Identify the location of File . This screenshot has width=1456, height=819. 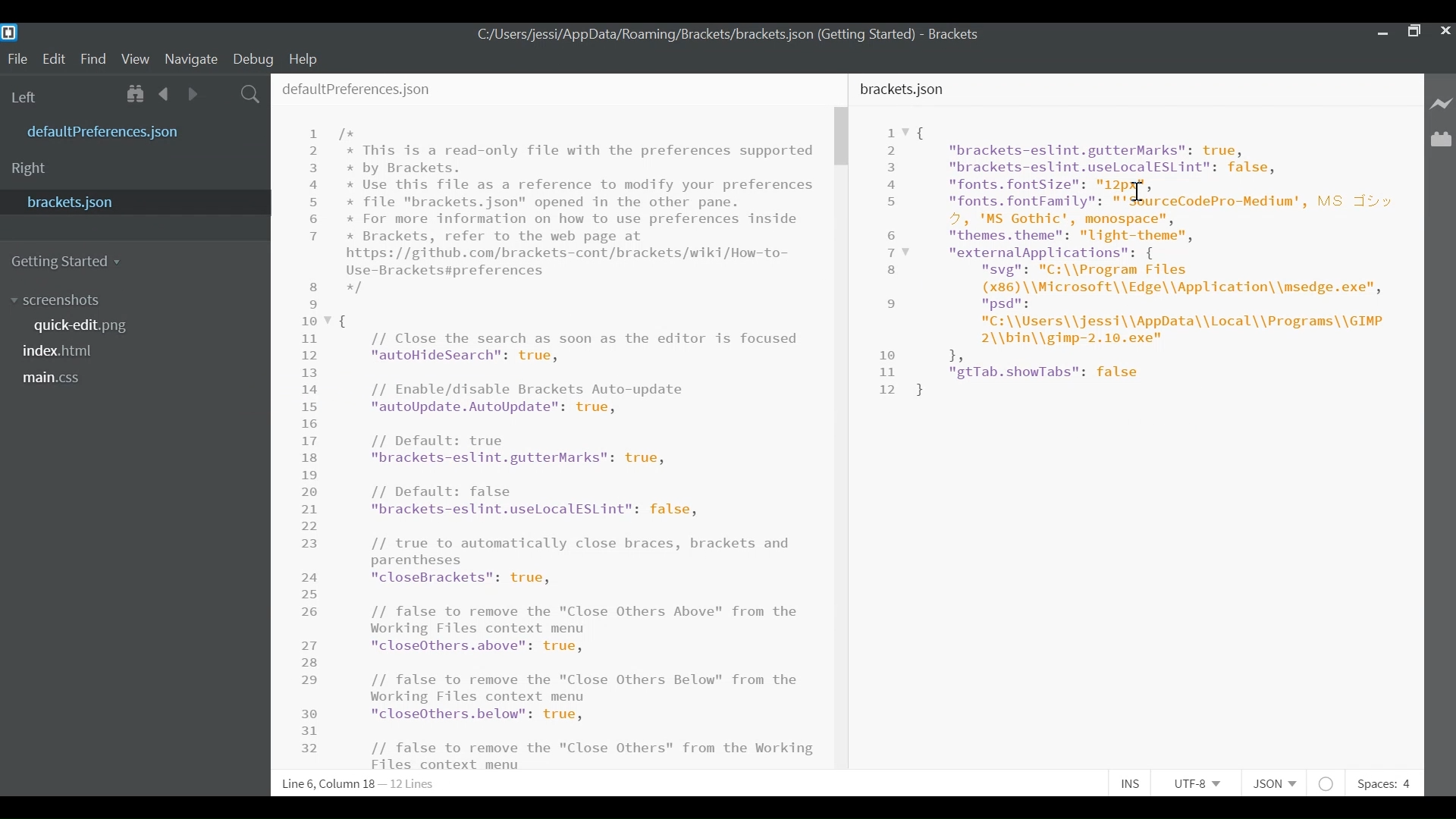
(14, 58).